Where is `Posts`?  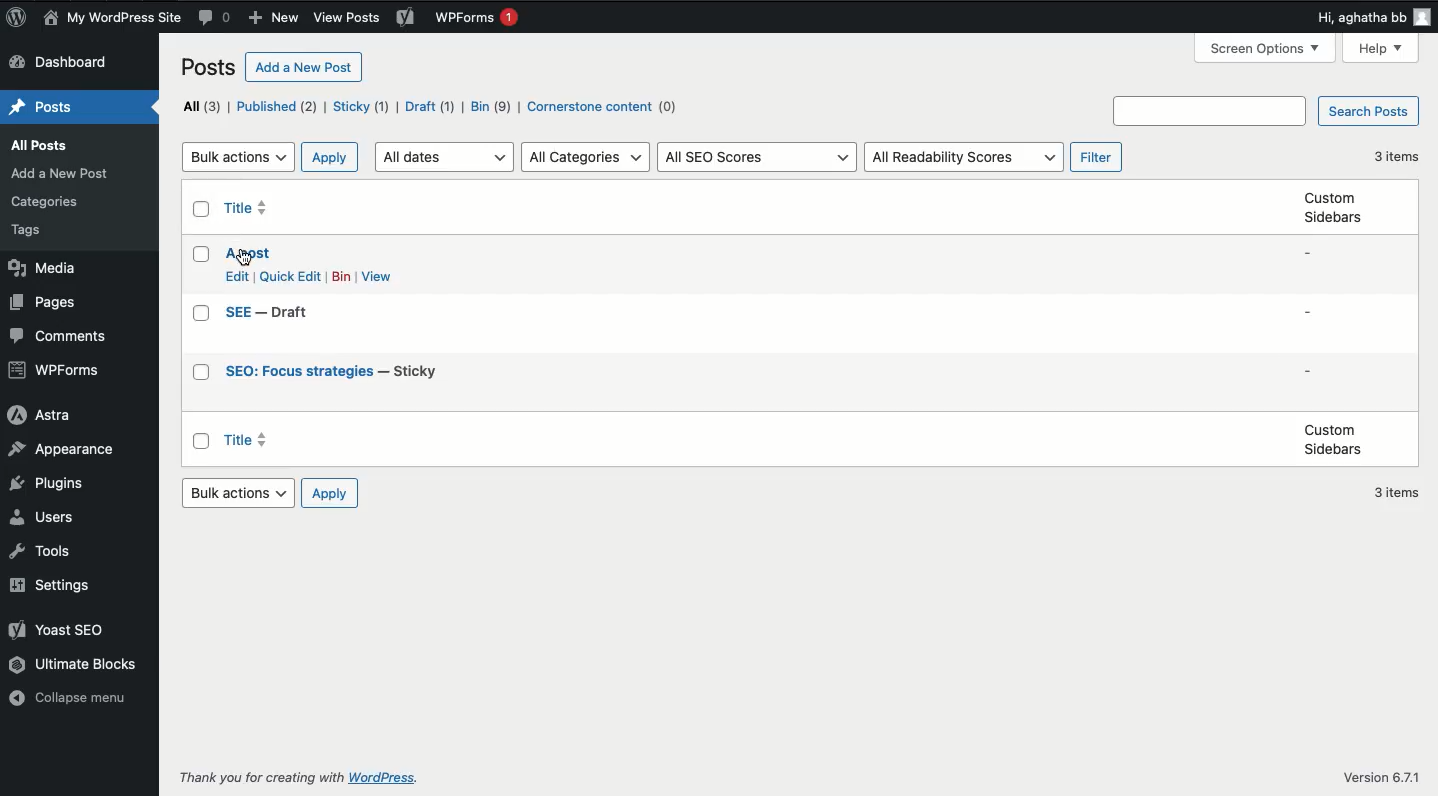 Posts is located at coordinates (208, 68).